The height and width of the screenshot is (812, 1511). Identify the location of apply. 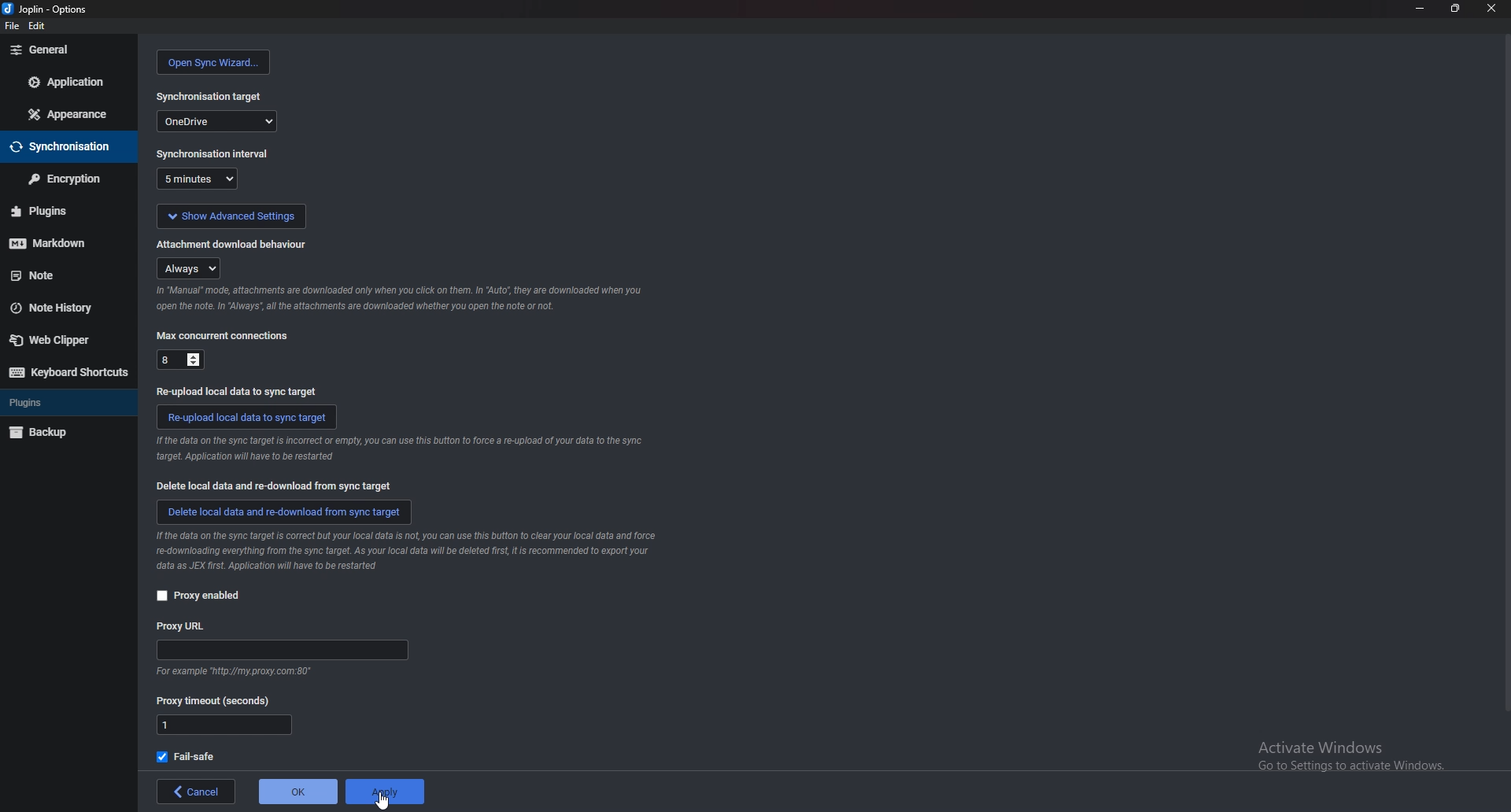
(385, 792).